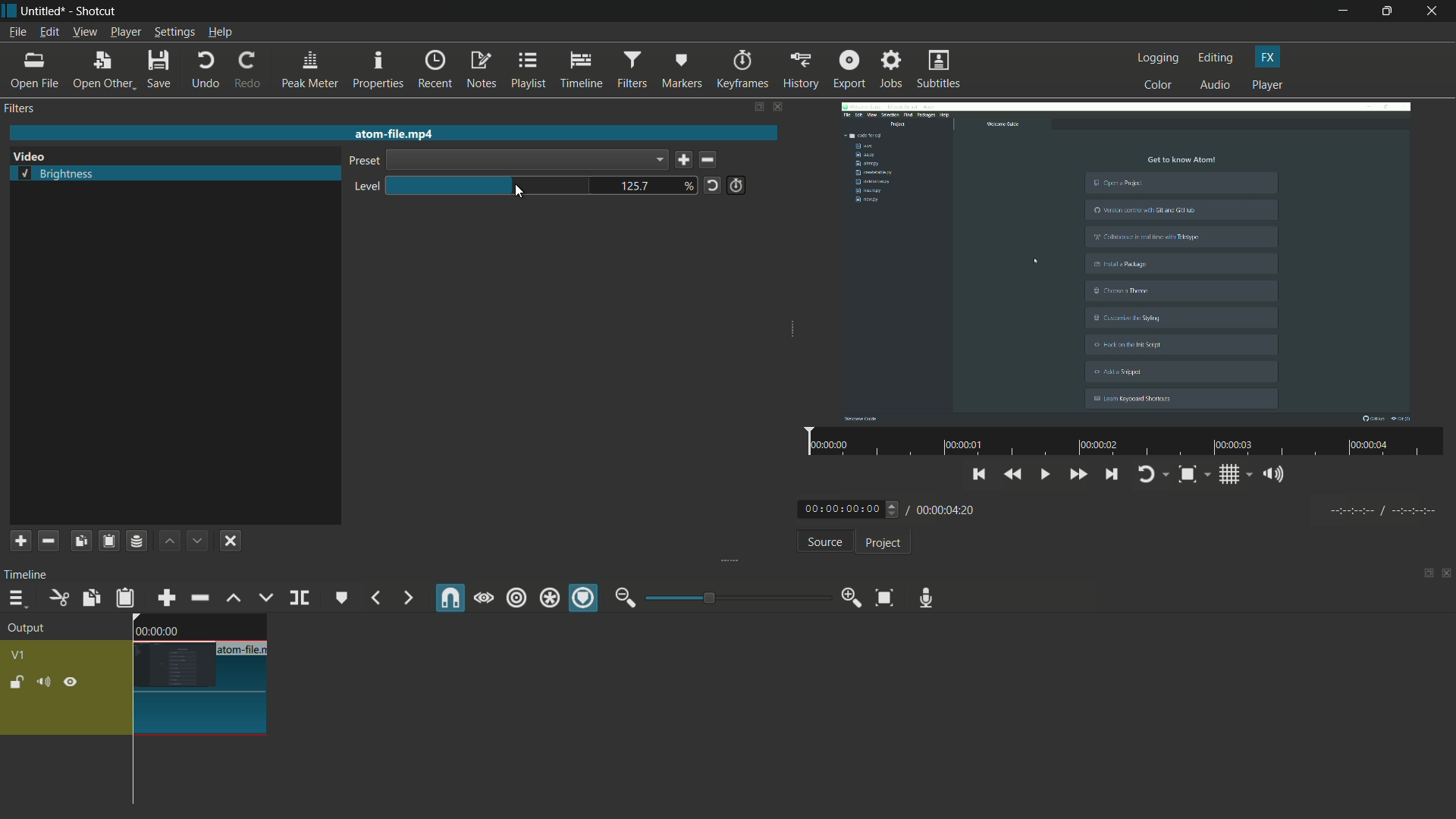  I want to click on %, so click(689, 185).